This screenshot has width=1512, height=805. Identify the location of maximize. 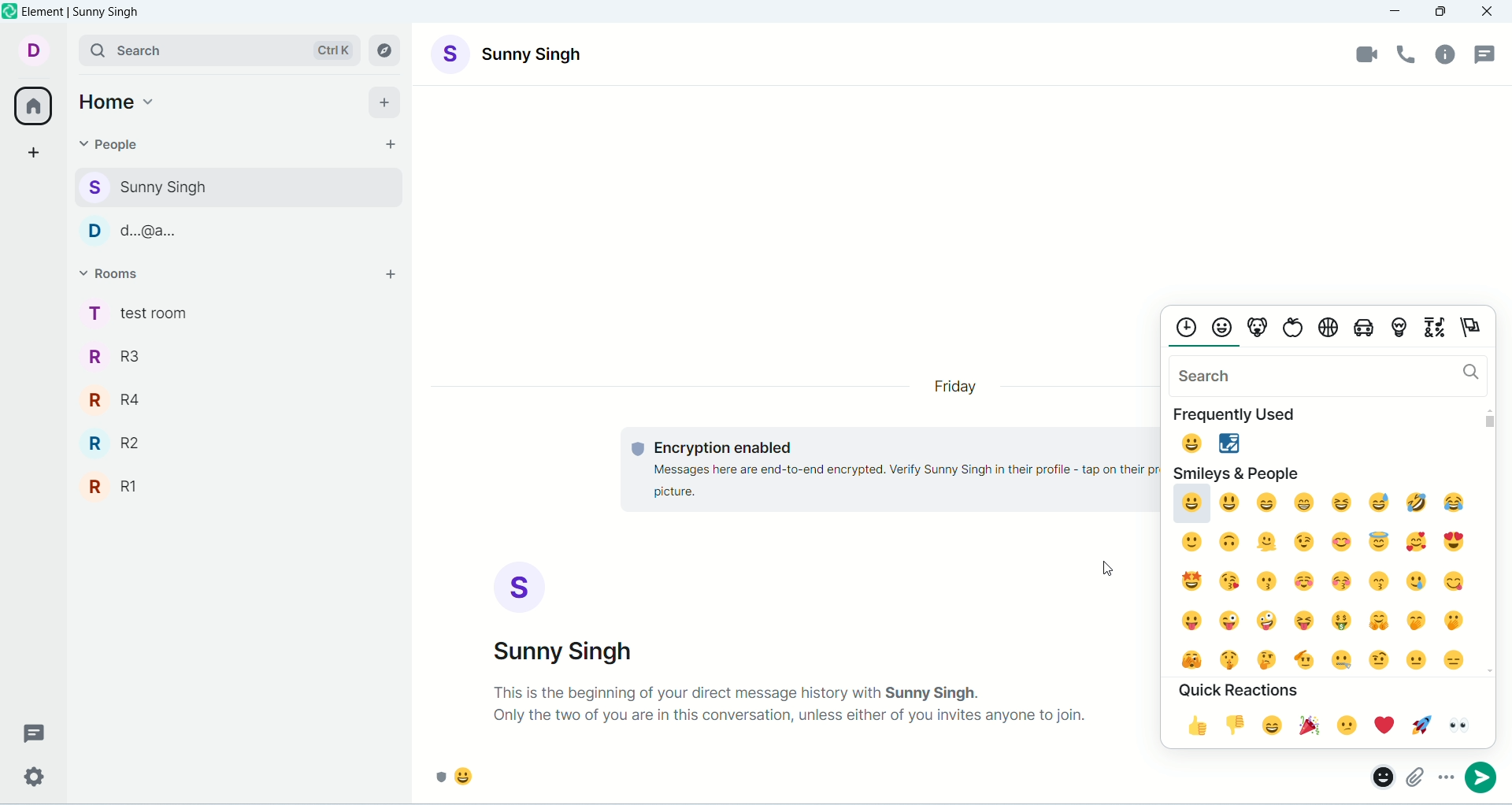
(1442, 10).